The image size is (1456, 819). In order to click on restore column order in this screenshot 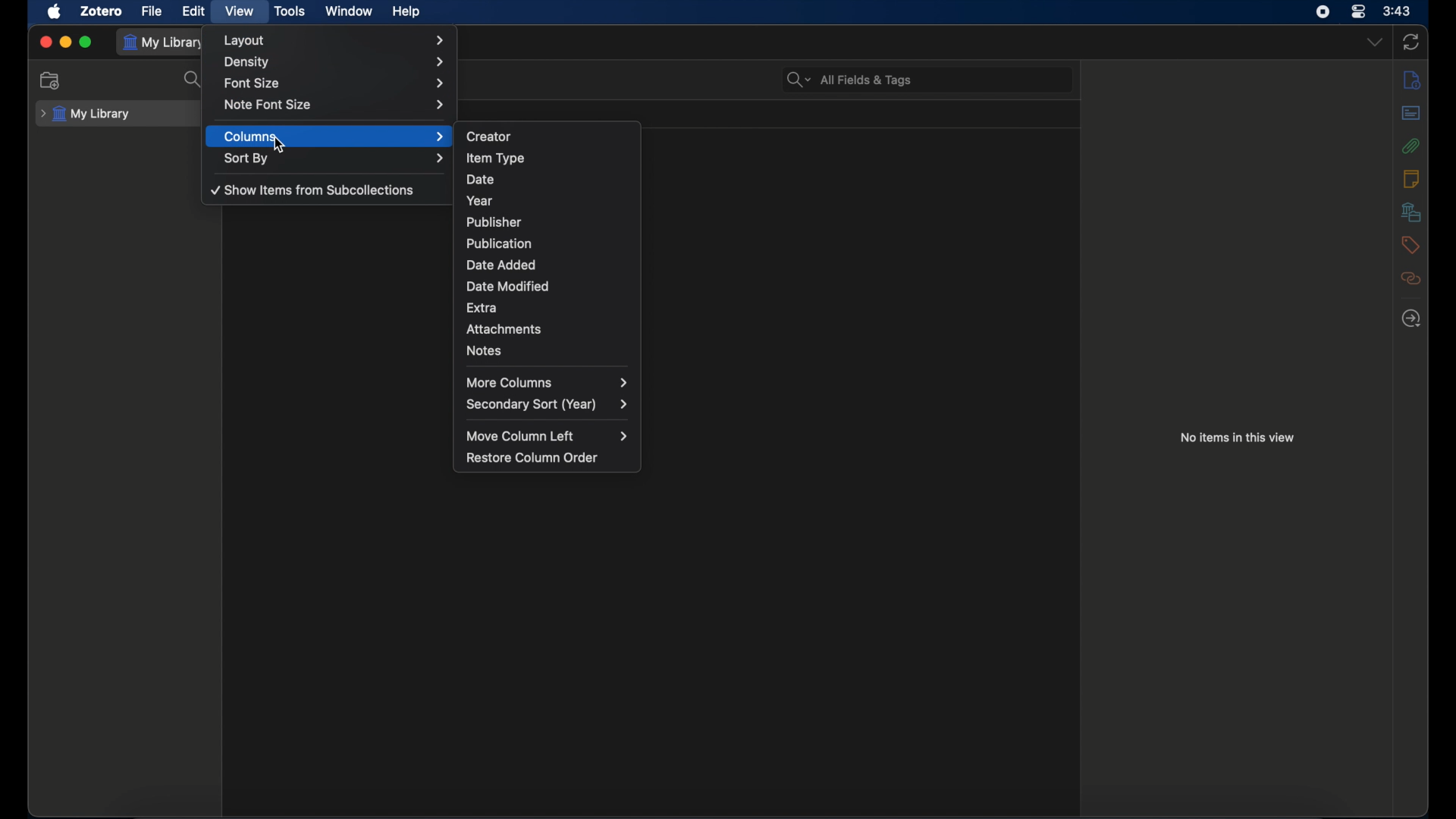, I will do `click(532, 459)`.